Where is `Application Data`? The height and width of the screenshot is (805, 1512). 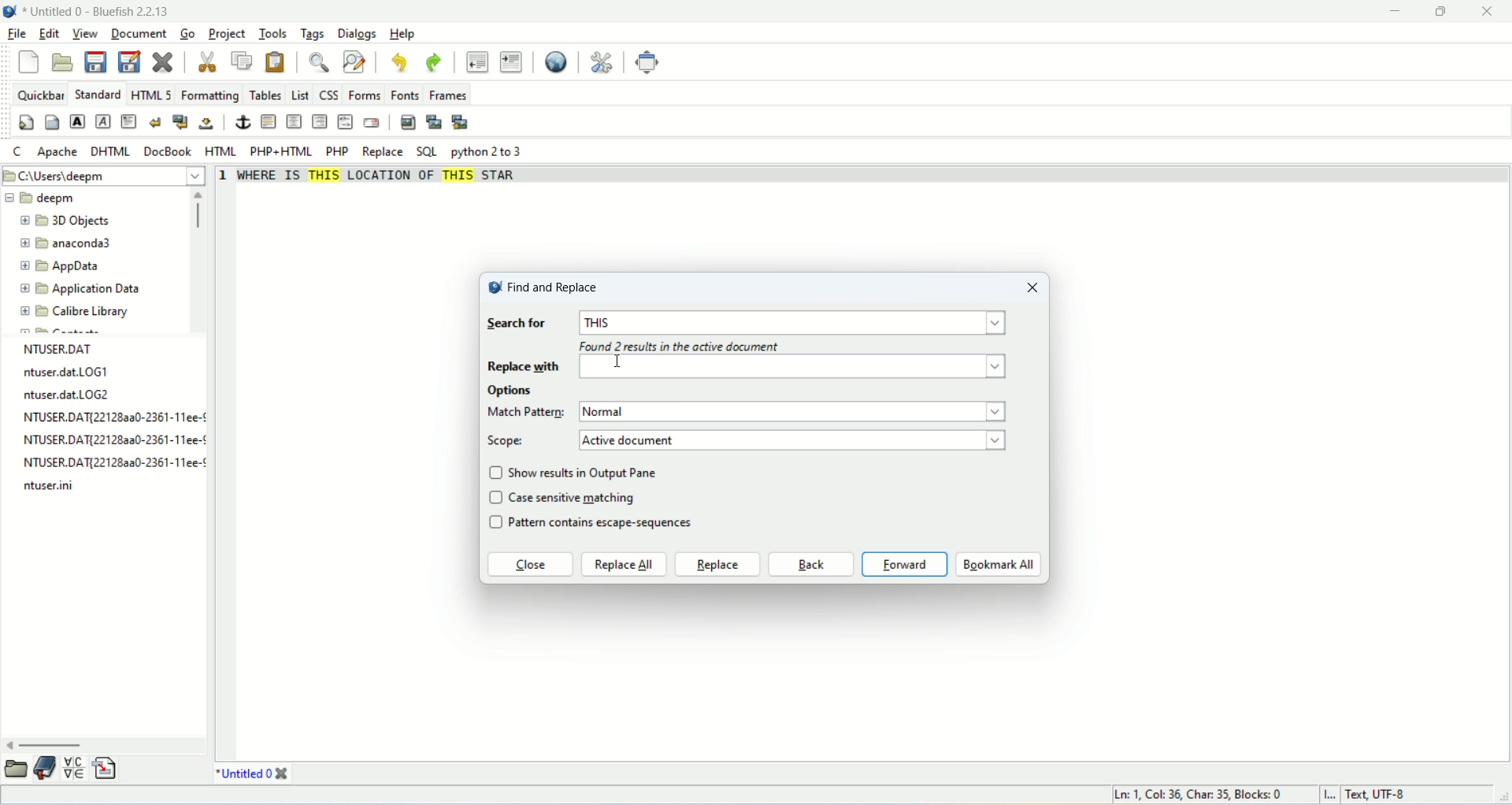 Application Data is located at coordinates (80, 289).